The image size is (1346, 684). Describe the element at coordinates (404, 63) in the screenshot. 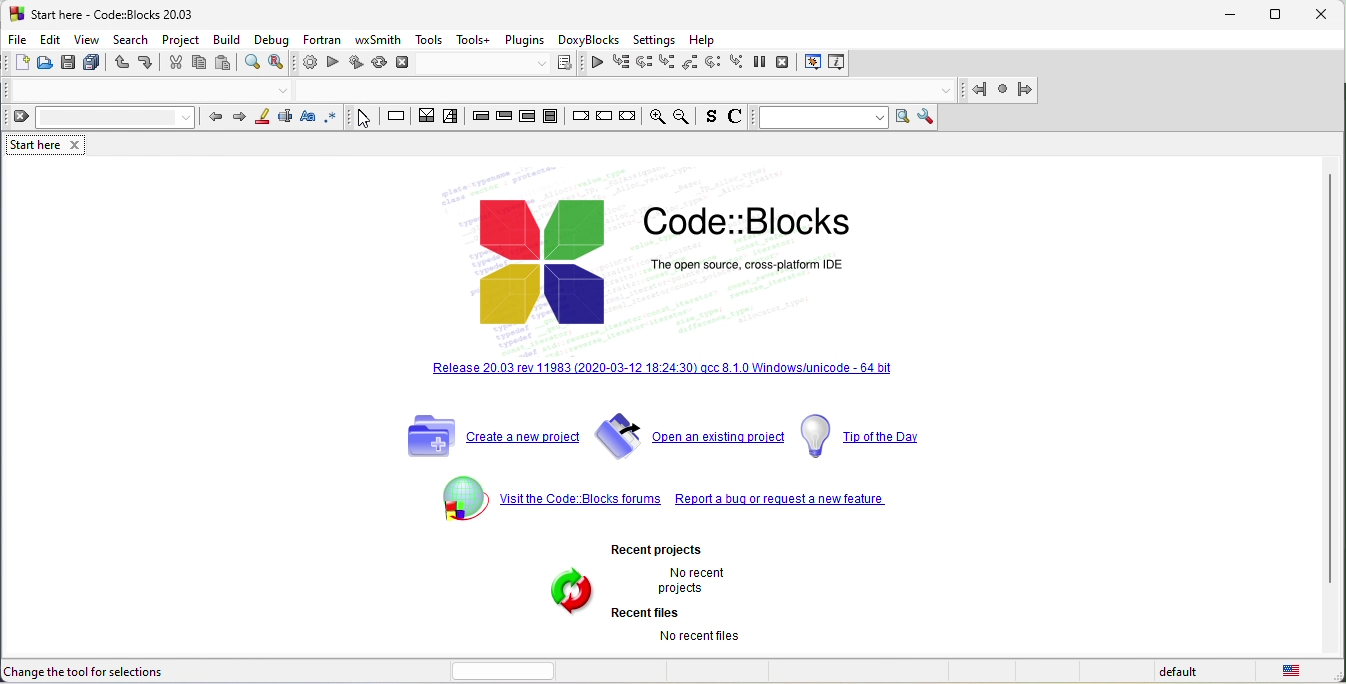

I see `abort` at that location.